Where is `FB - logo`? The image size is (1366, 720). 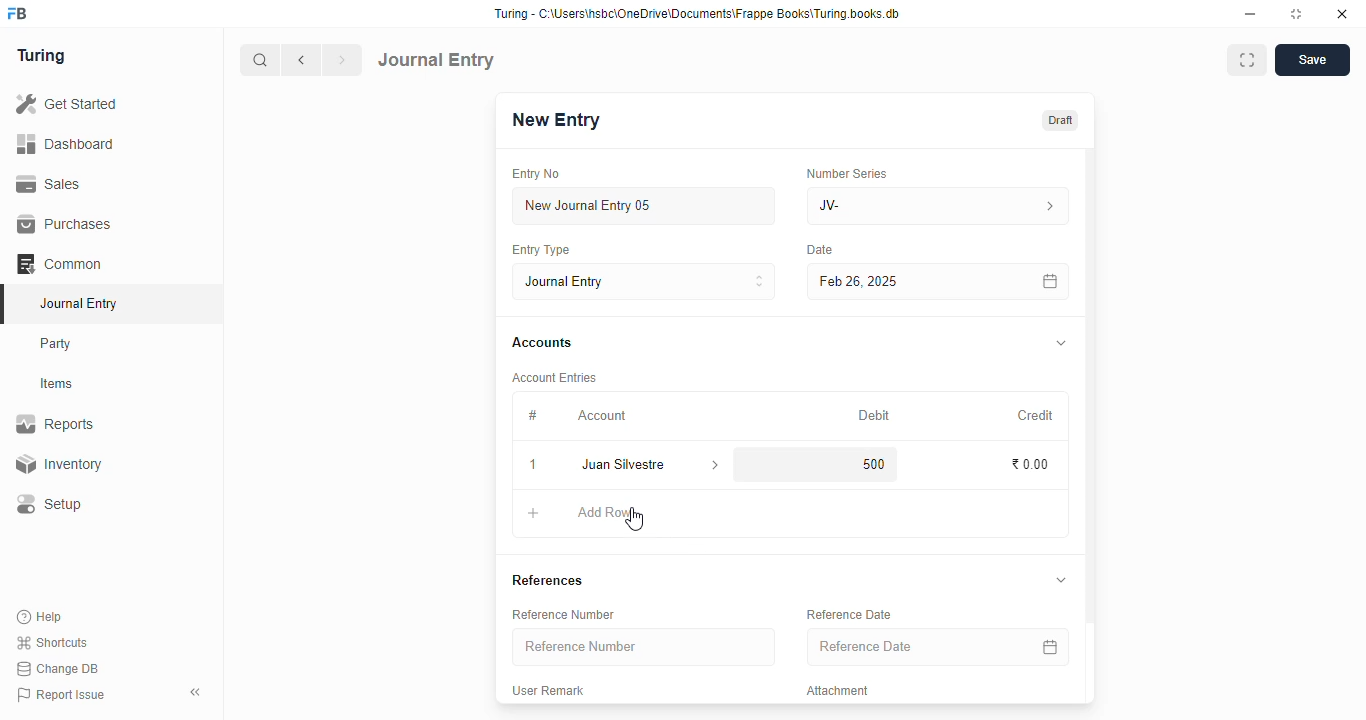
FB - logo is located at coordinates (17, 13).